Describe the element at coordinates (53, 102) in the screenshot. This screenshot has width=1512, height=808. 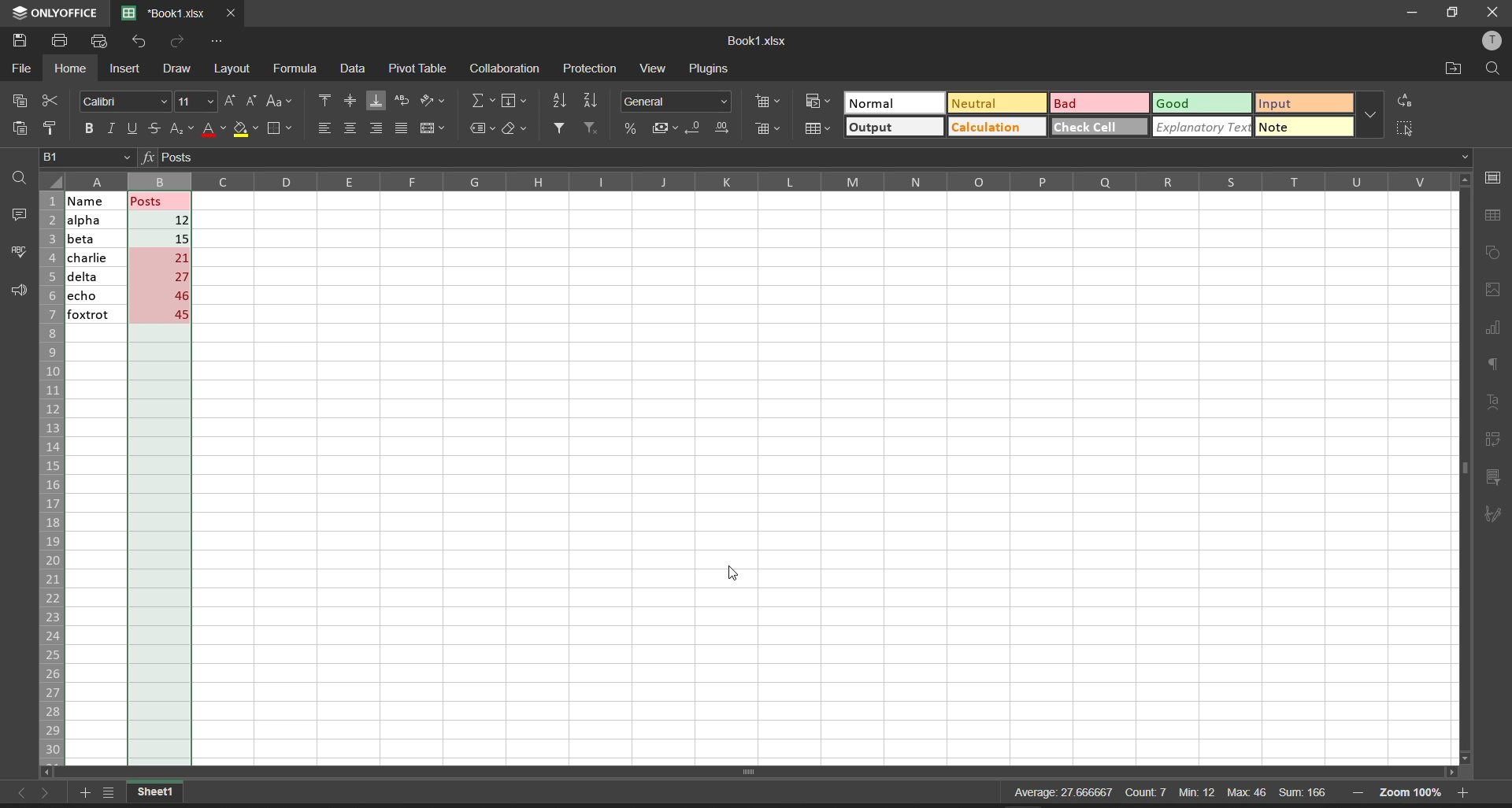
I see `cut` at that location.